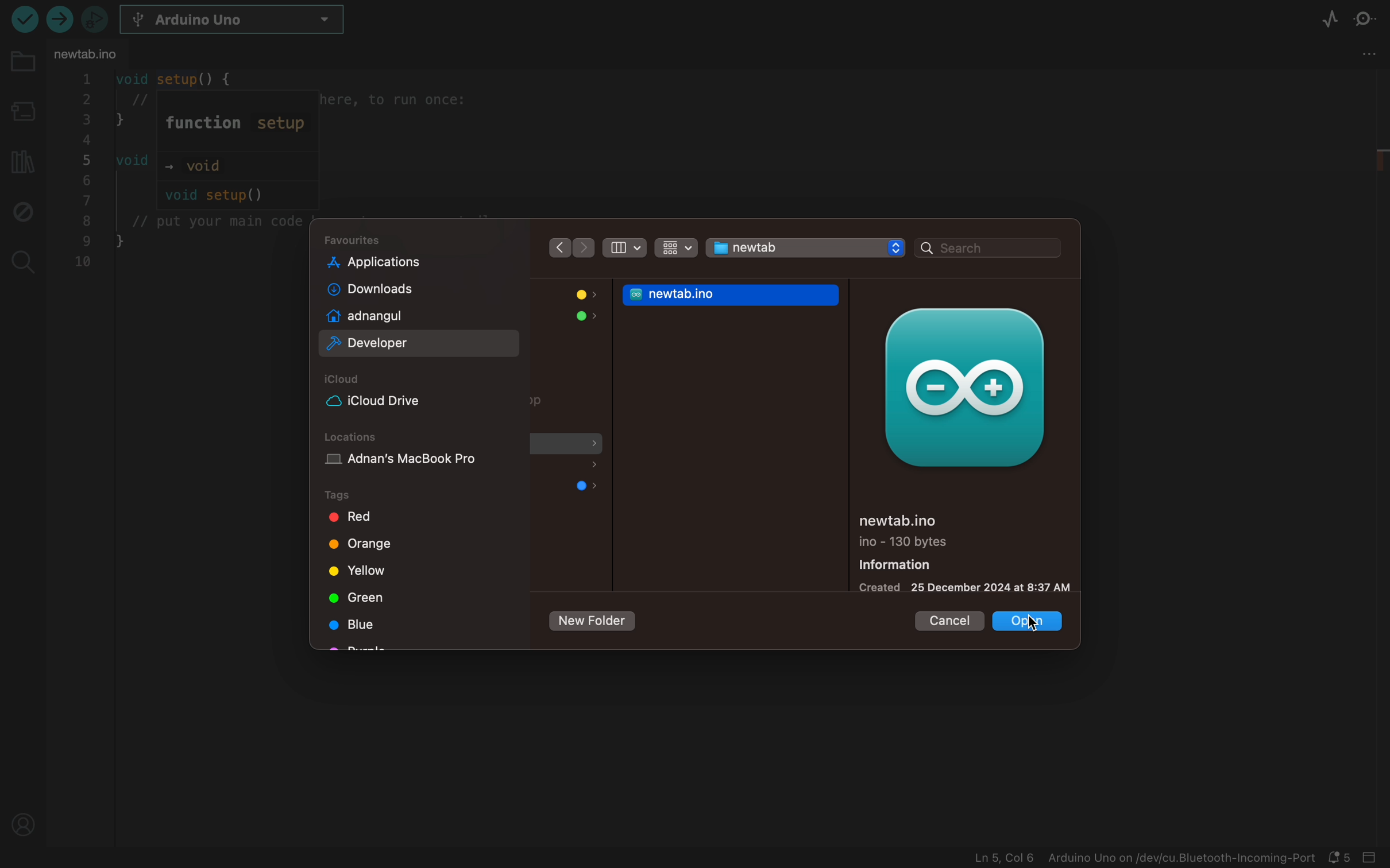 The width and height of the screenshot is (1390, 868). Describe the element at coordinates (577, 295) in the screenshot. I see `colors` at that location.